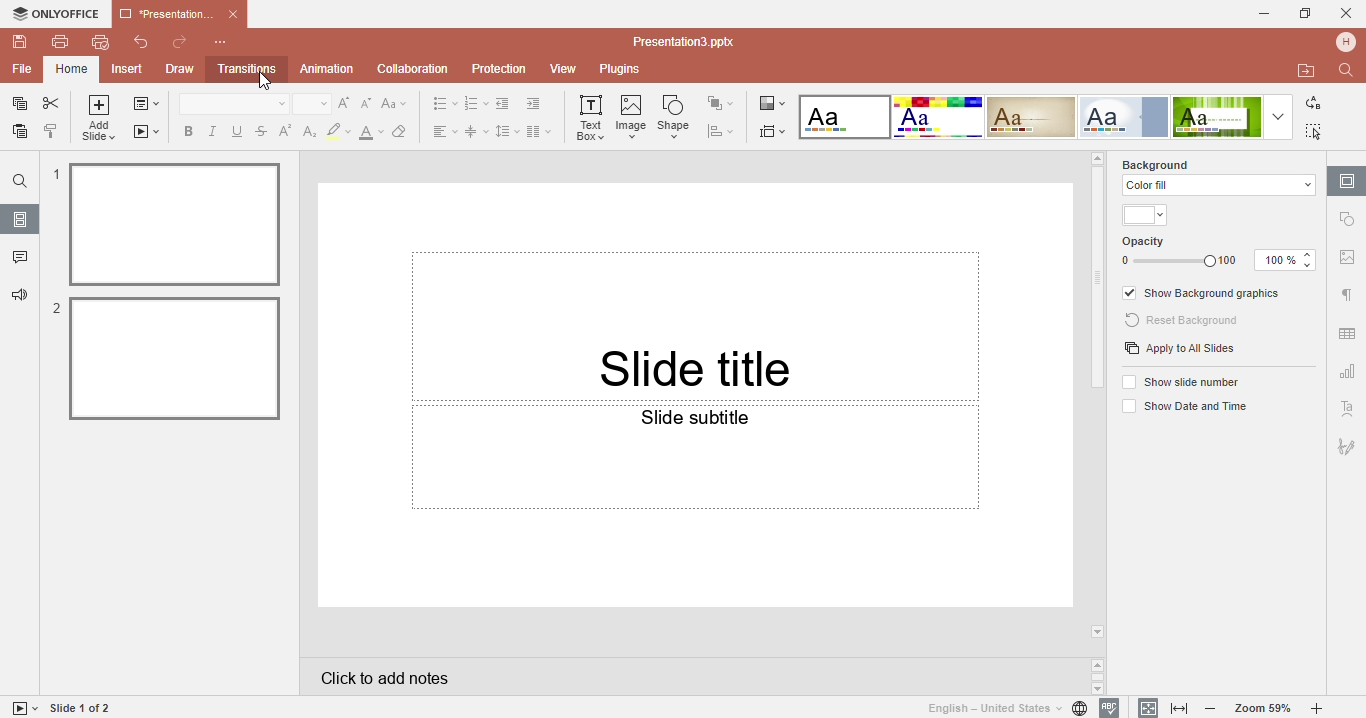  Describe the element at coordinates (1347, 261) in the screenshot. I see `Image settings` at that location.